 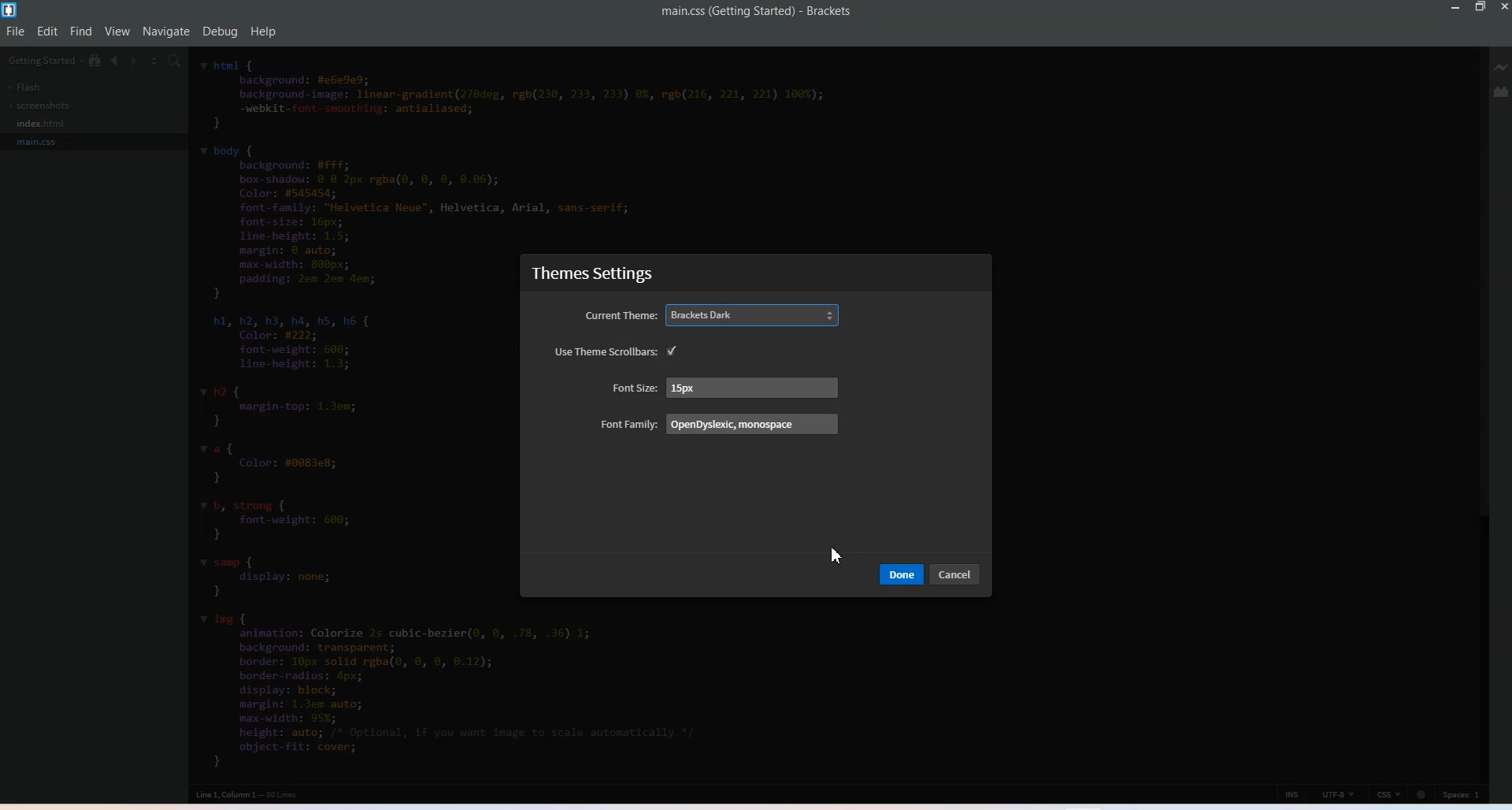 What do you see at coordinates (720, 425) in the screenshot?
I see `Font family` at bounding box center [720, 425].